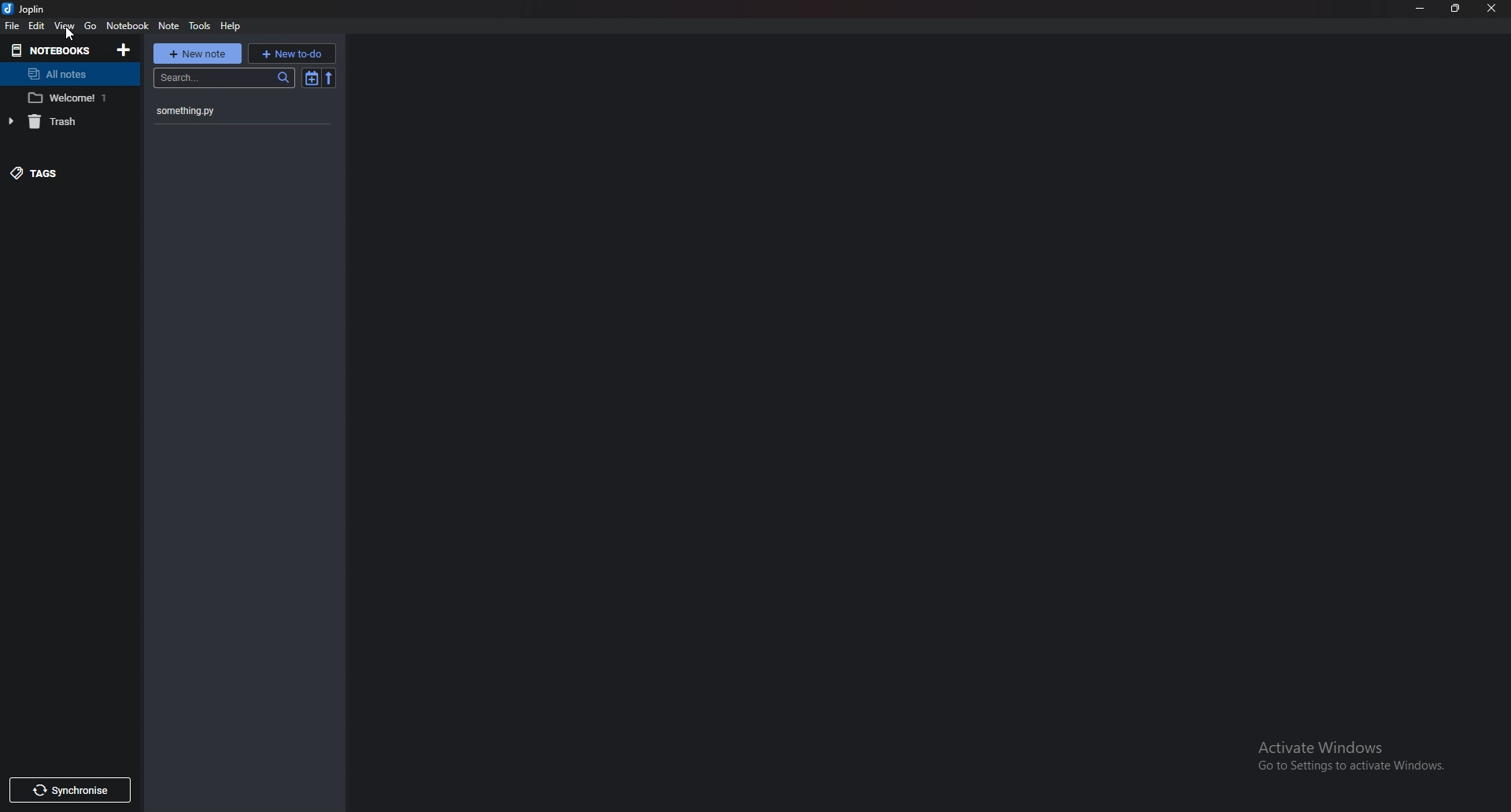 The image size is (1511, 812). Describe the element at coordinates (171, 26) in the screenshot. I see `Note` at that location.